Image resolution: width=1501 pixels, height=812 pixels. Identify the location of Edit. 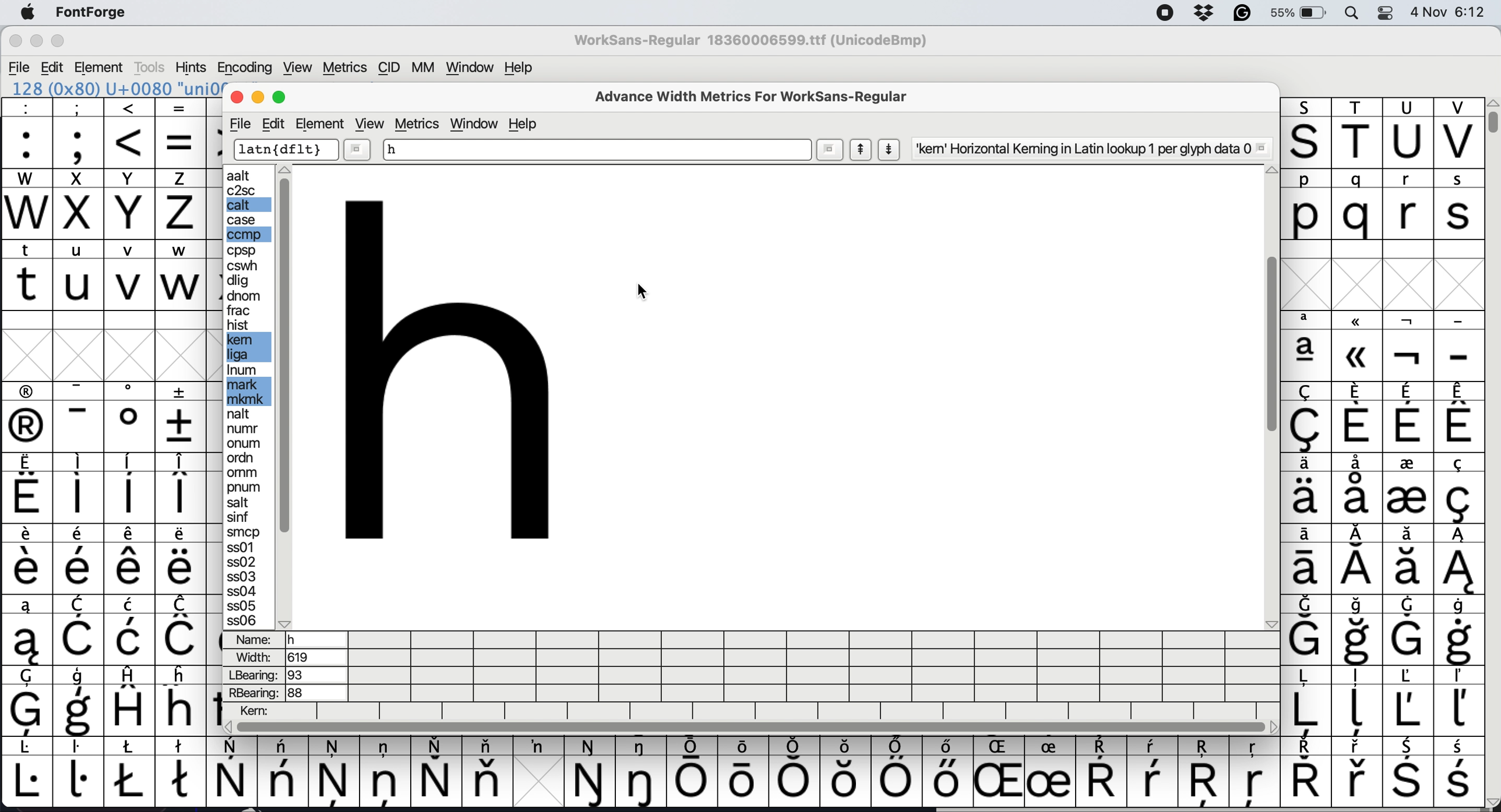
(55, 68).